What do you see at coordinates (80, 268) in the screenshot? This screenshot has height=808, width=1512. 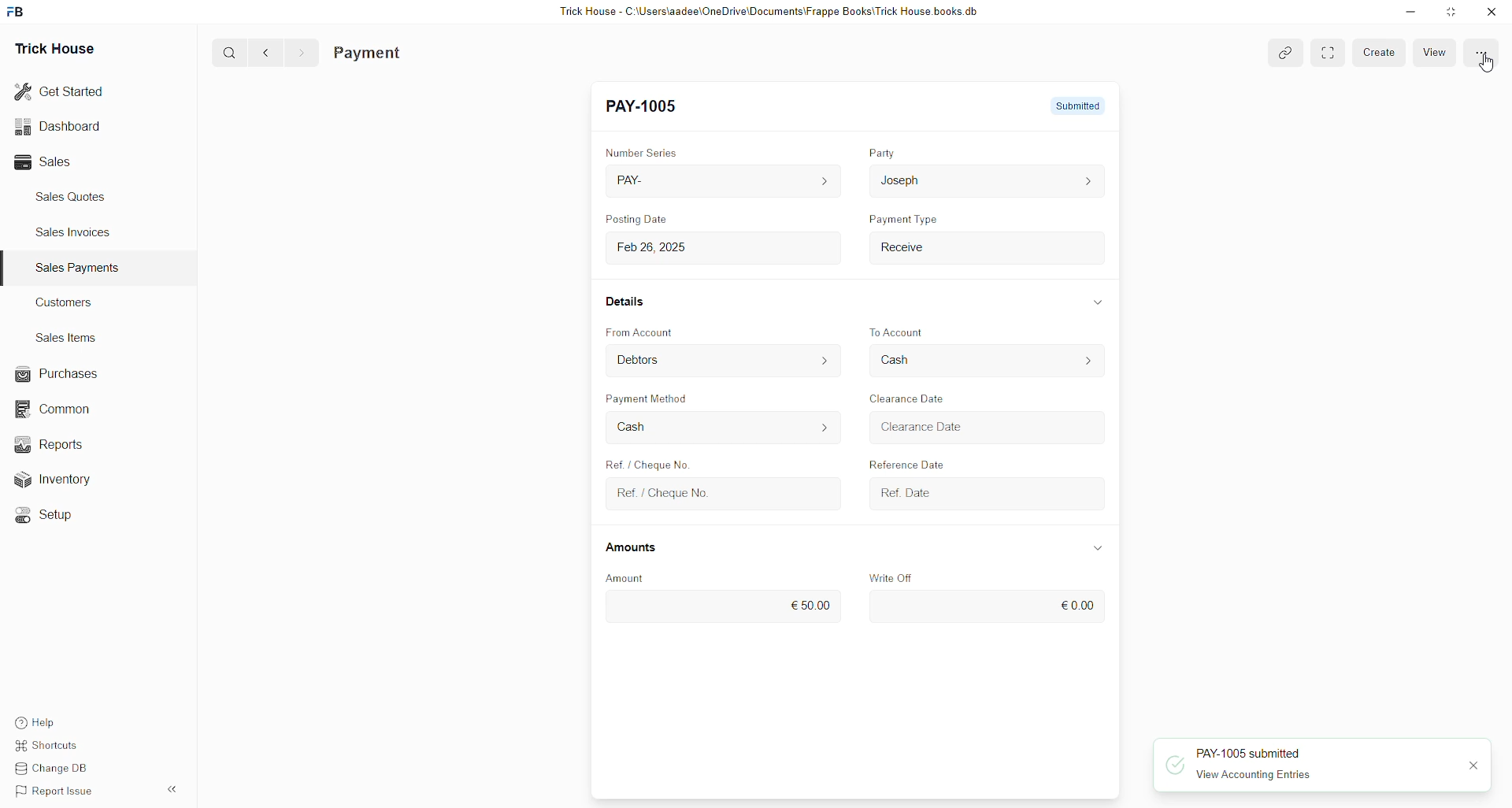 I see `Sales Payments` at bounding box center [80, 268].